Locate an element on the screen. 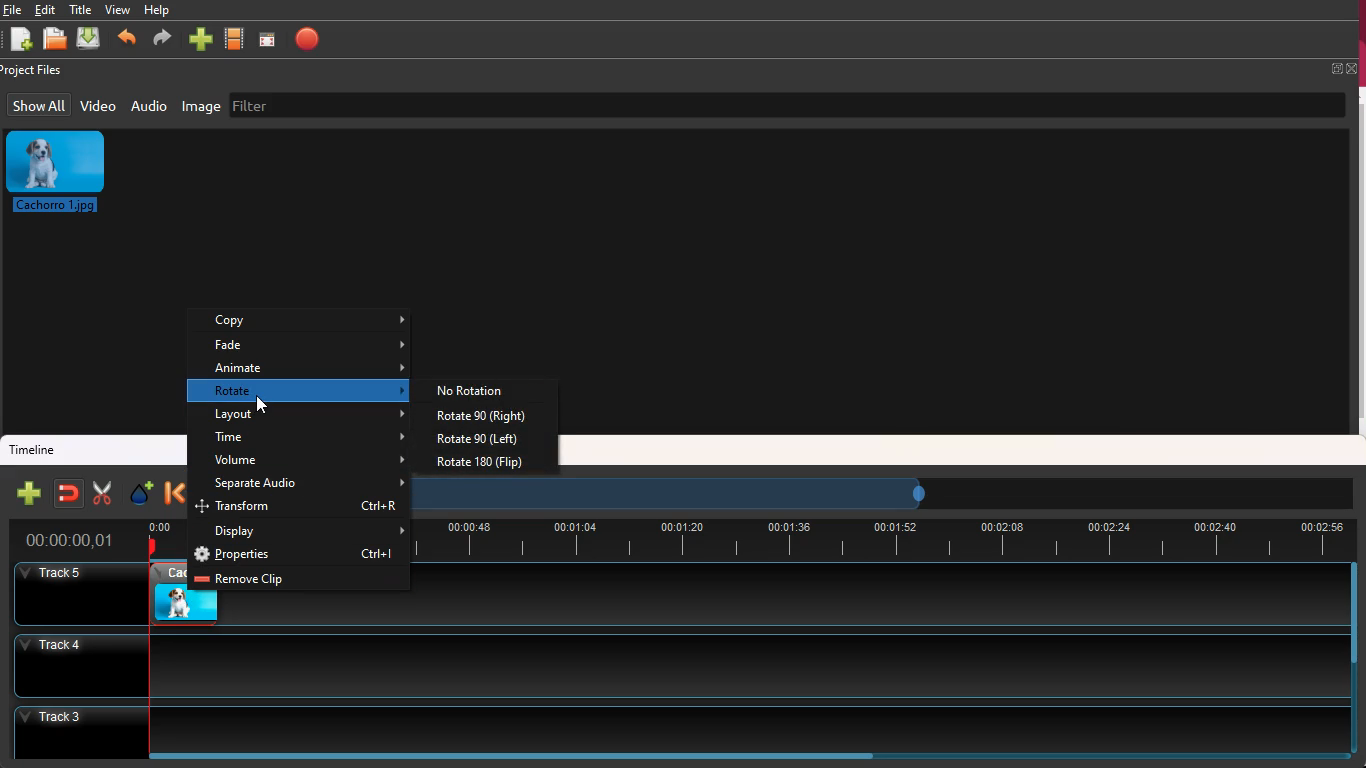  timeframe is located at coordinates (674, 495).